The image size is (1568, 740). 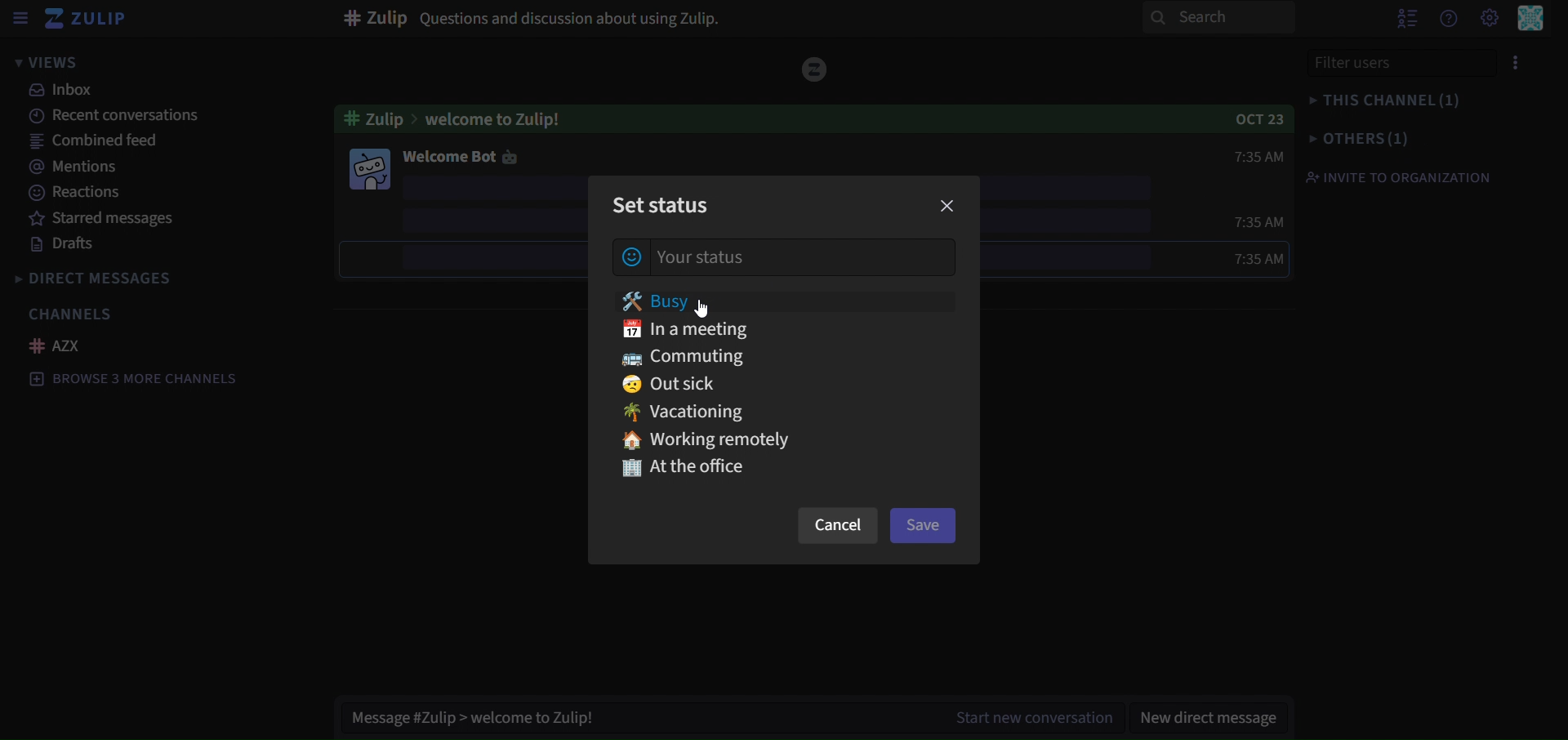 What do you see at coordinates (20, 18) in the screenshot?
I see `sidebar` at bounding box center [20, 18].